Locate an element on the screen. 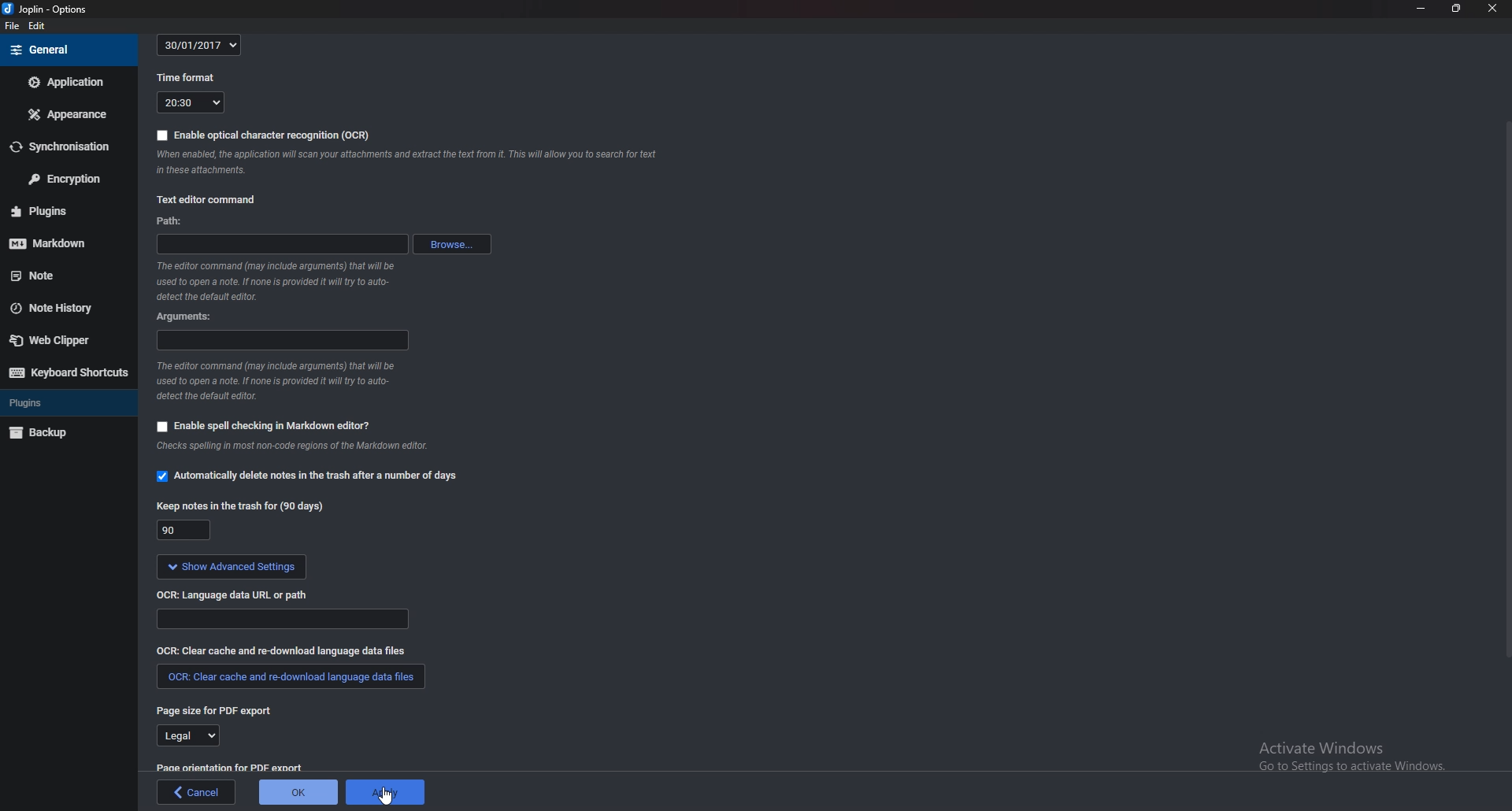  path is located at coordinates (282, 243).